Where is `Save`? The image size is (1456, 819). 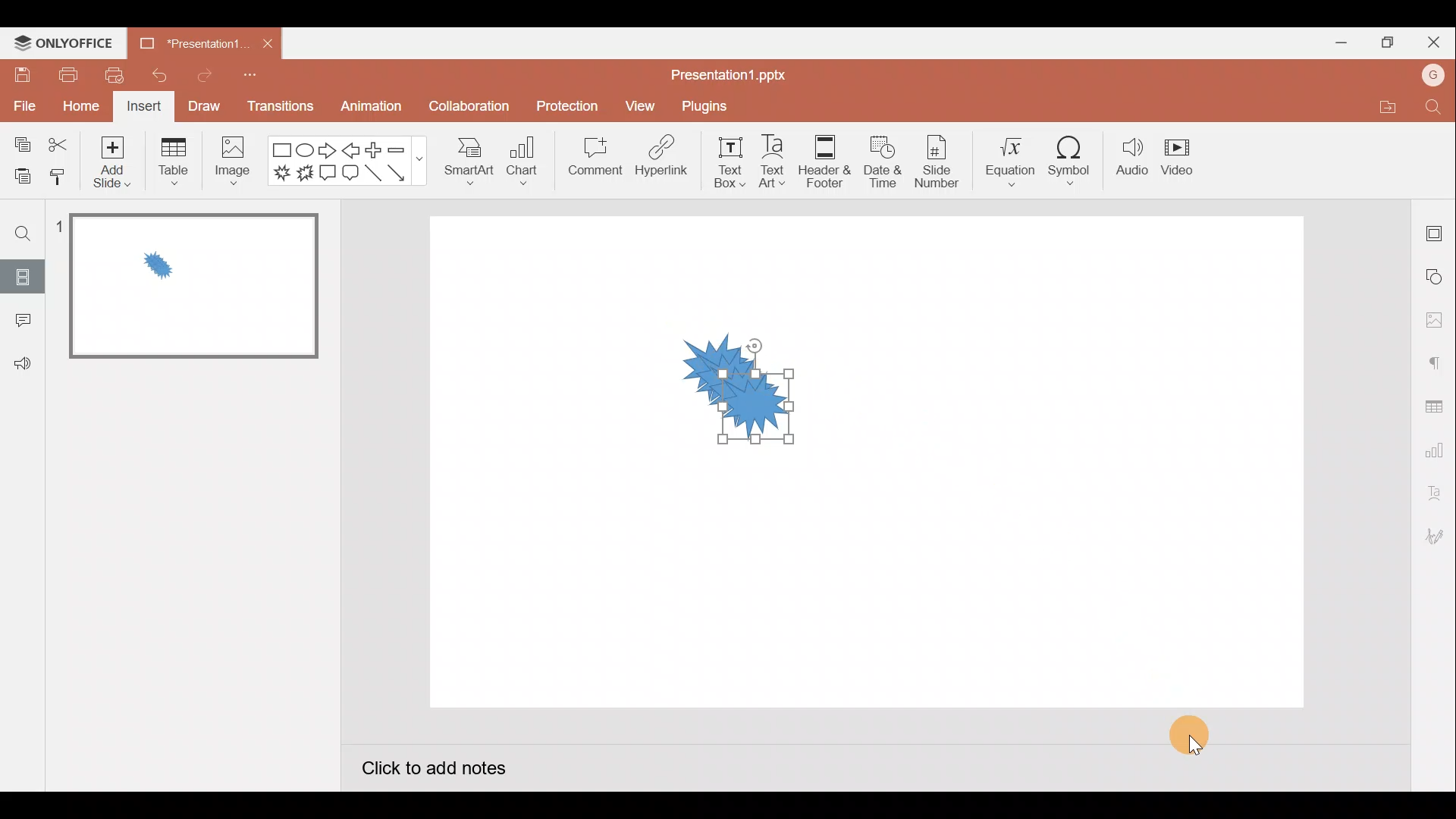
Save is located at coordinates (22, 77).